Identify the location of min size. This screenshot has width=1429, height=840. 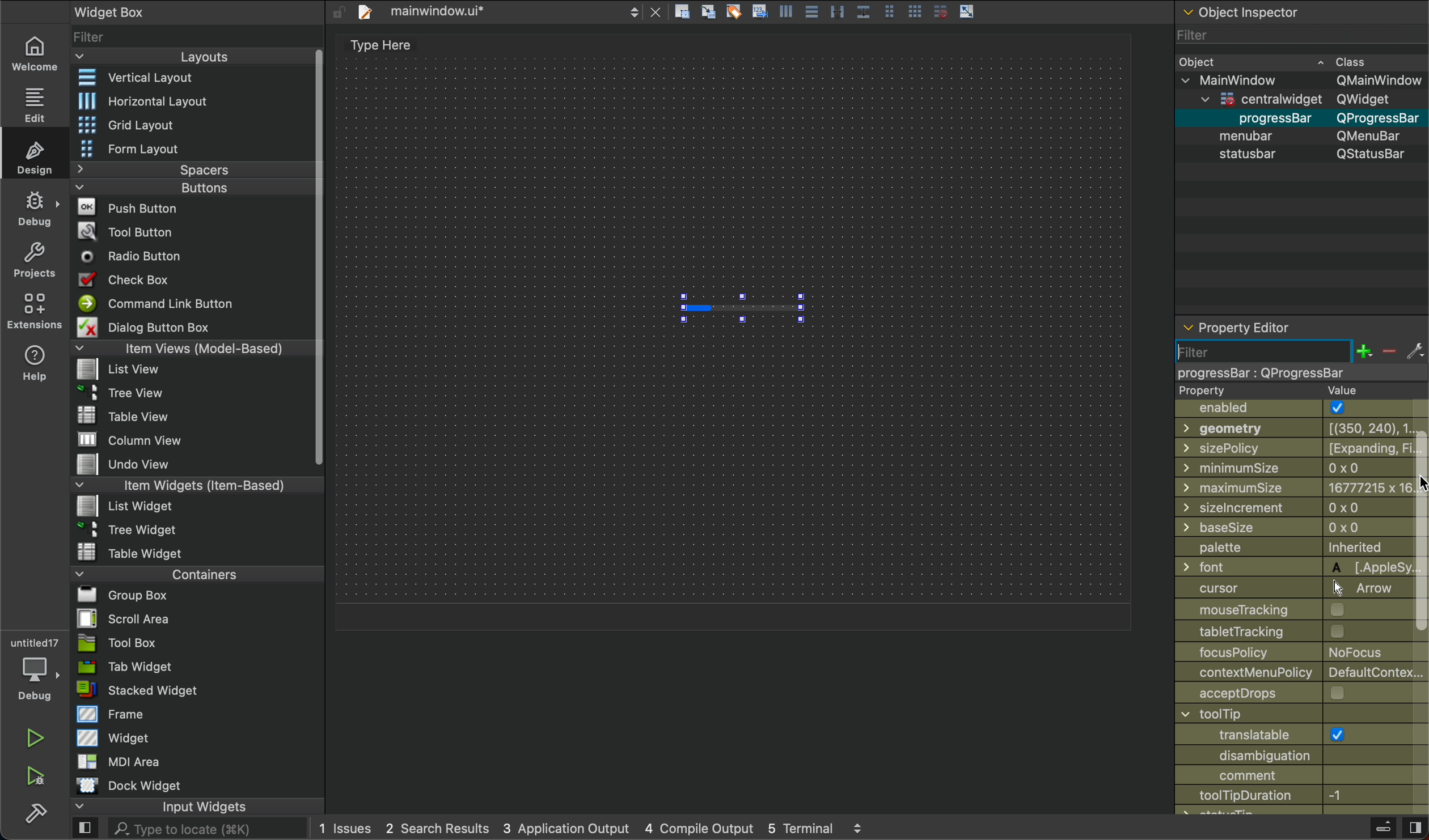
(1283, 468).